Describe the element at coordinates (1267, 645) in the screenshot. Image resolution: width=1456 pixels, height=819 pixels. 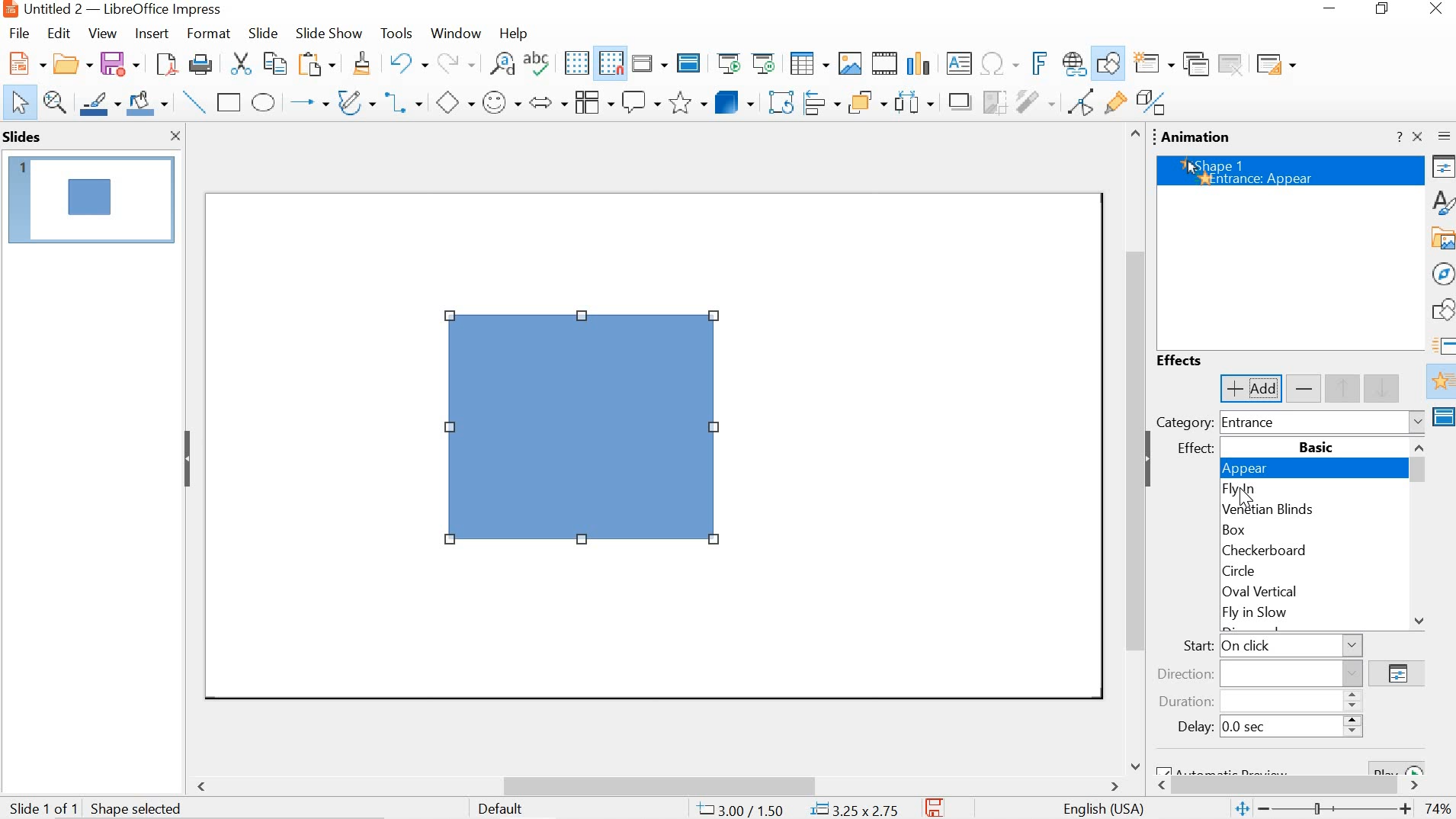
I see `start` at that location.